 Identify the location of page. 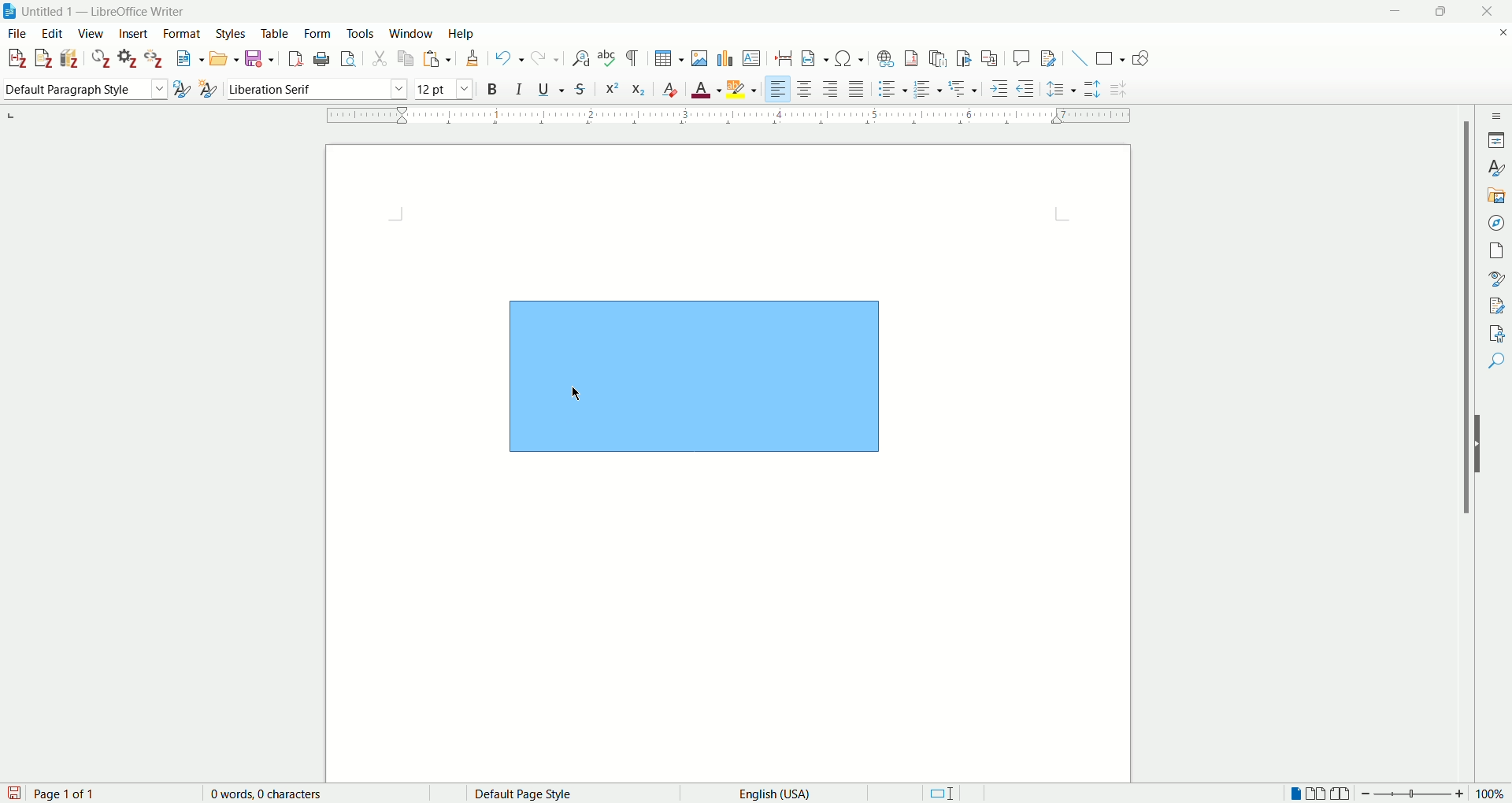
(1495, 253).